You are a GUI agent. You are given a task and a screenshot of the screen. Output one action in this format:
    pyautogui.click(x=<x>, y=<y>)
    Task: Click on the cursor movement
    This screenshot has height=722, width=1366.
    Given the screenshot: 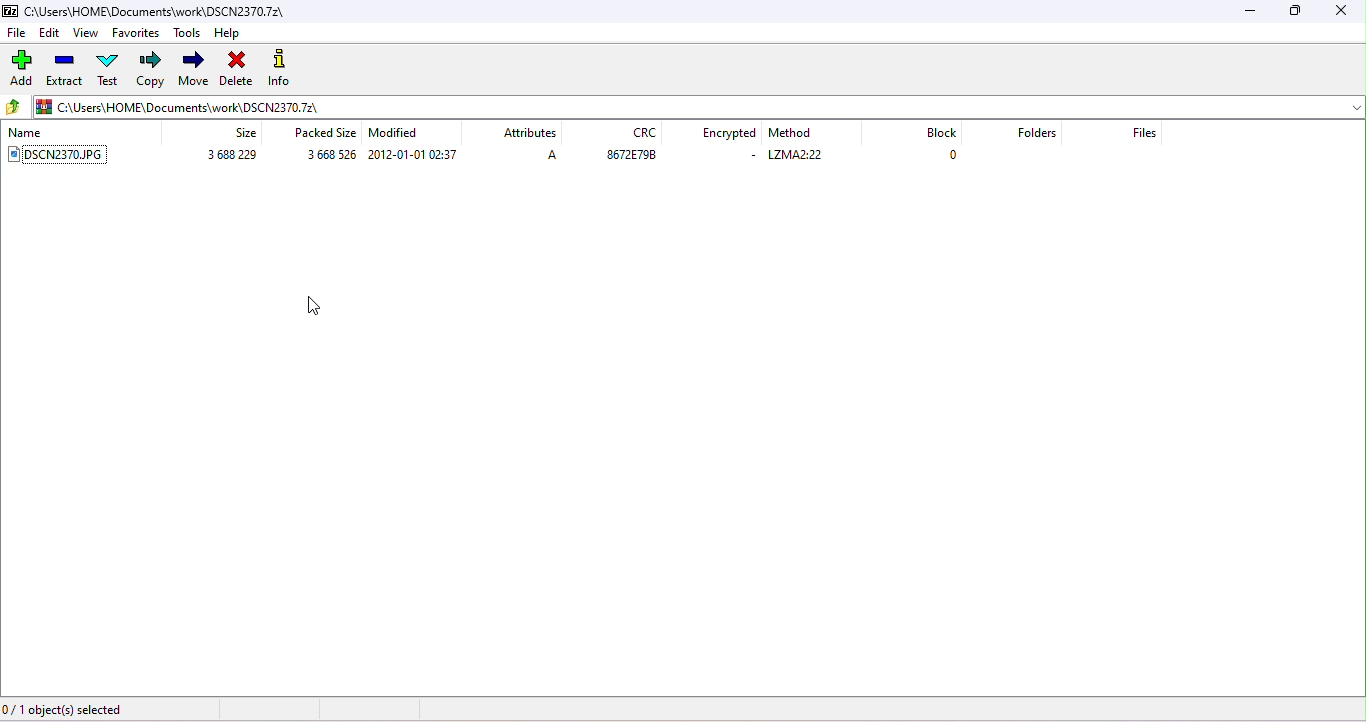 What is the action you would take?
    pyautogui.click(x=310, y=306)
    